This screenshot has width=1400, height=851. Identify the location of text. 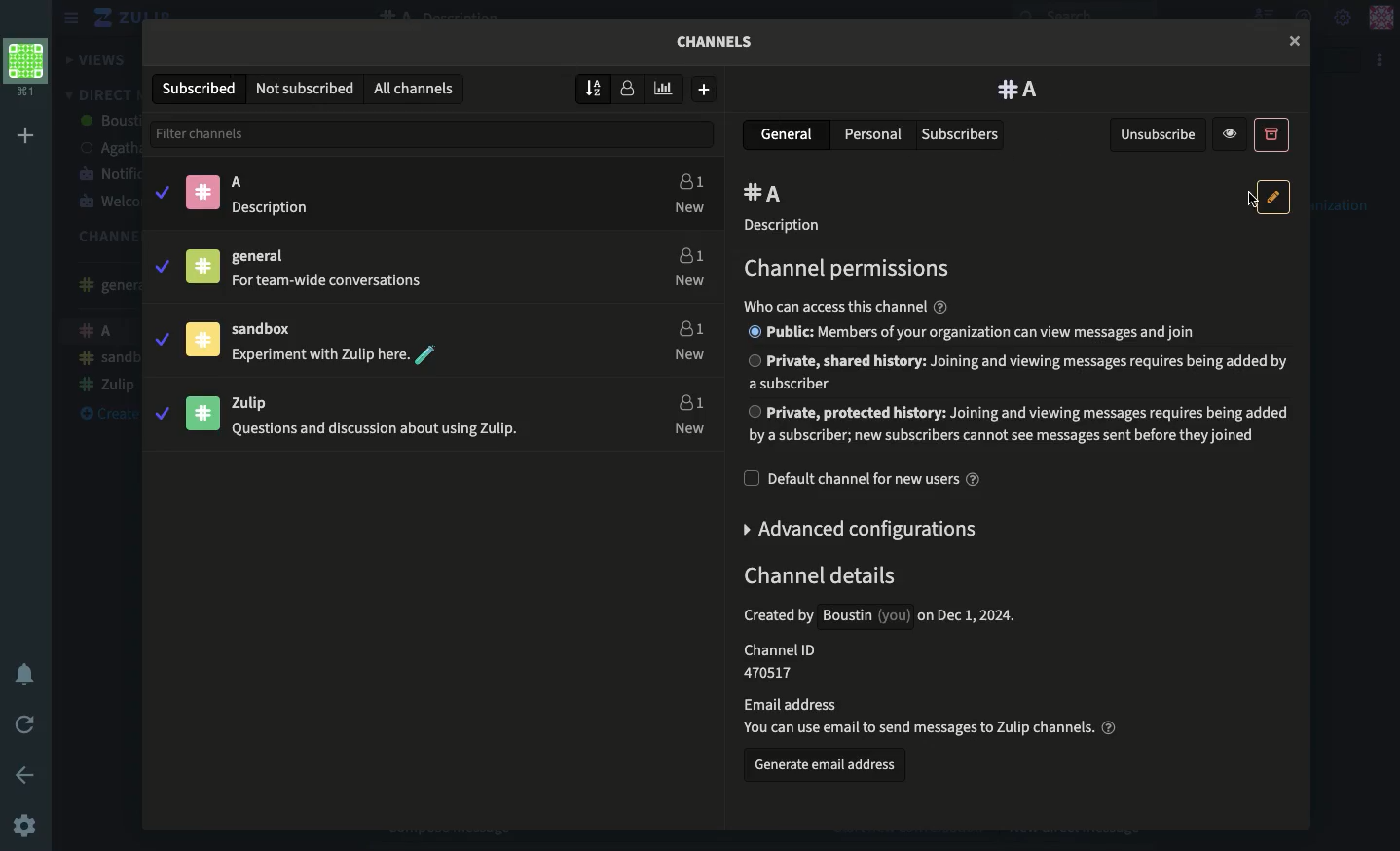
(835, 307).